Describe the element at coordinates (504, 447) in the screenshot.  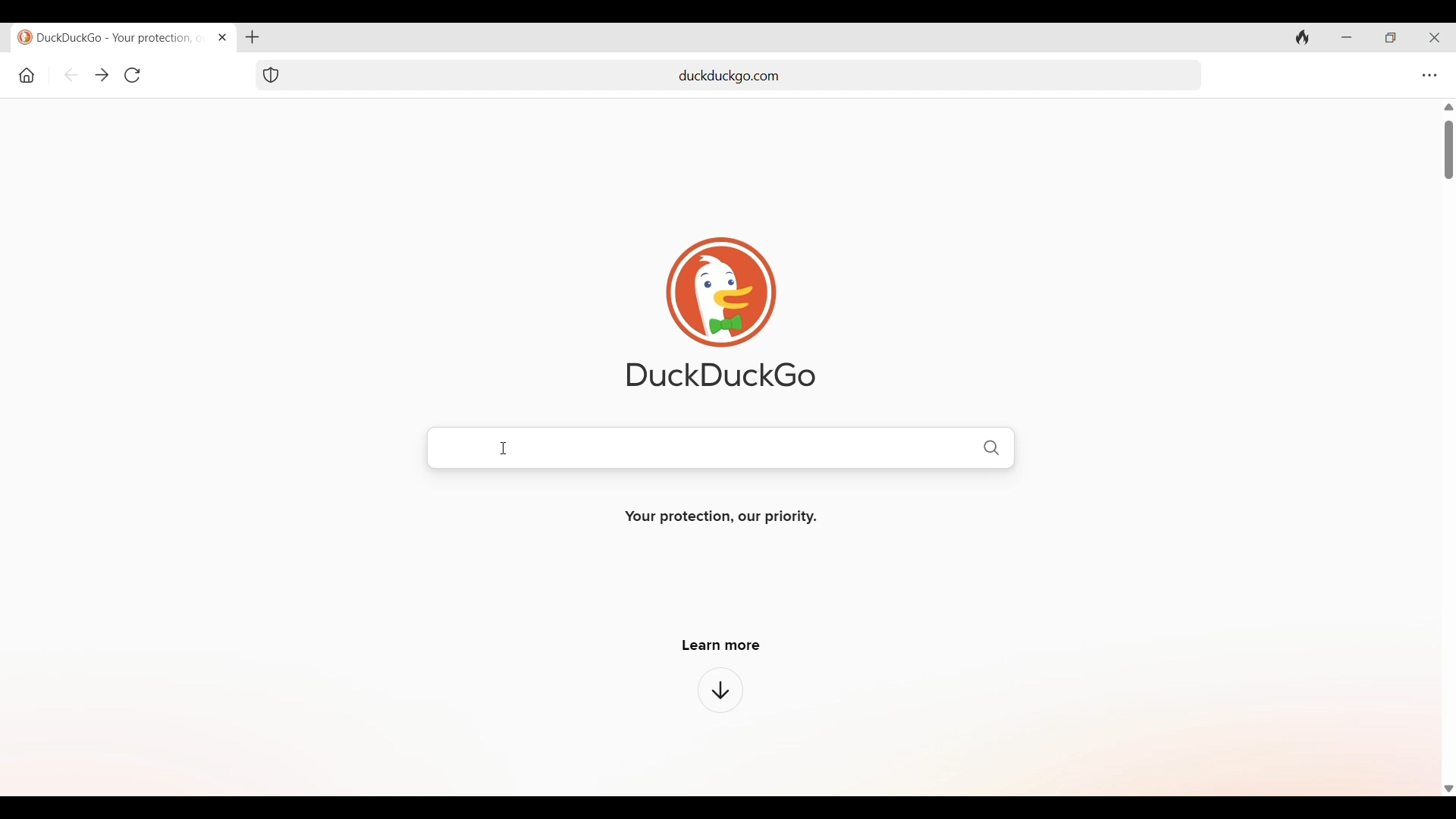
I see `Cursor` at that location.